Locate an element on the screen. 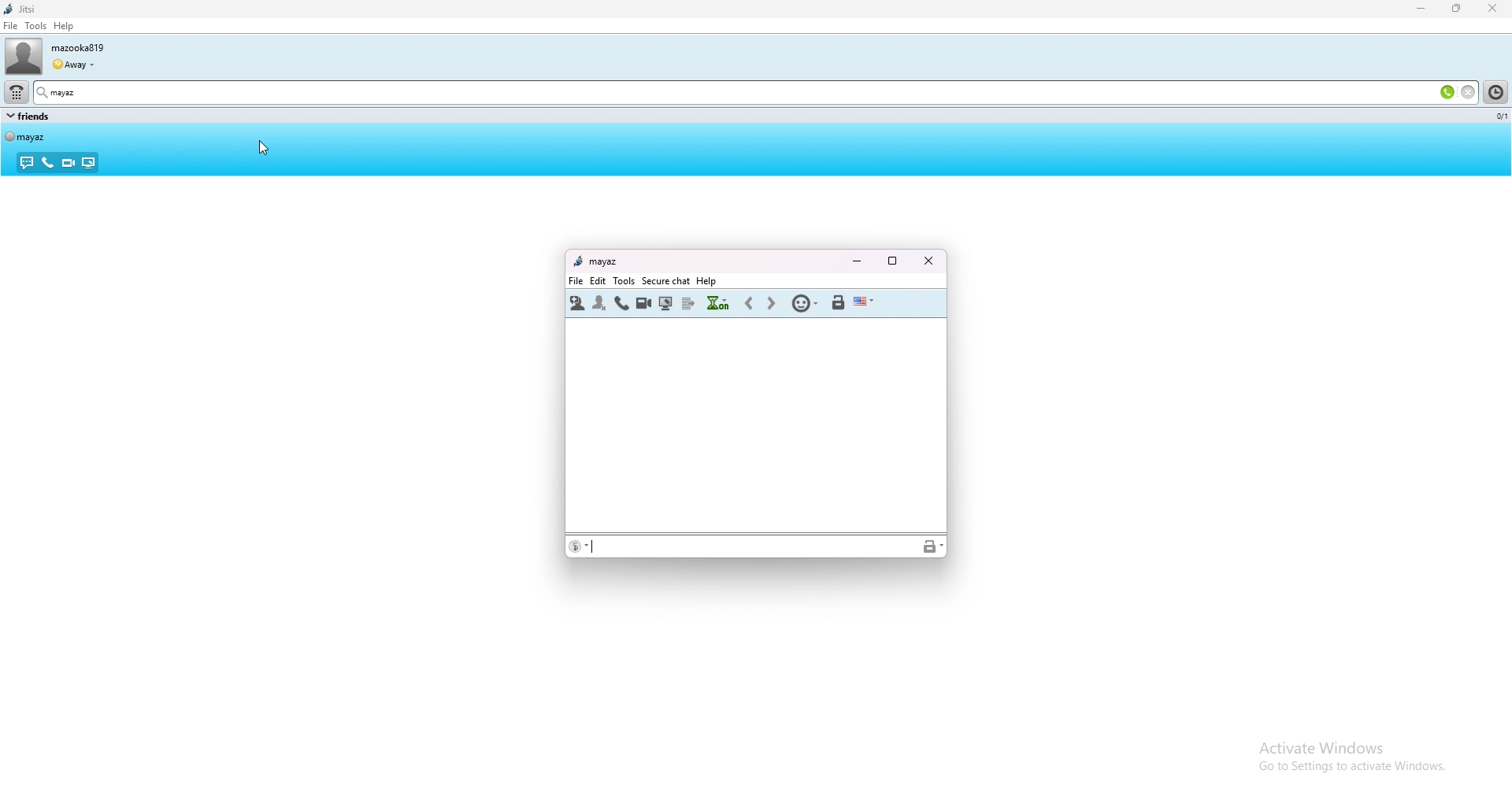 Image resolution: width=1512 pixels, height=811 pixels. video contact is located at coordinates (67, 163).